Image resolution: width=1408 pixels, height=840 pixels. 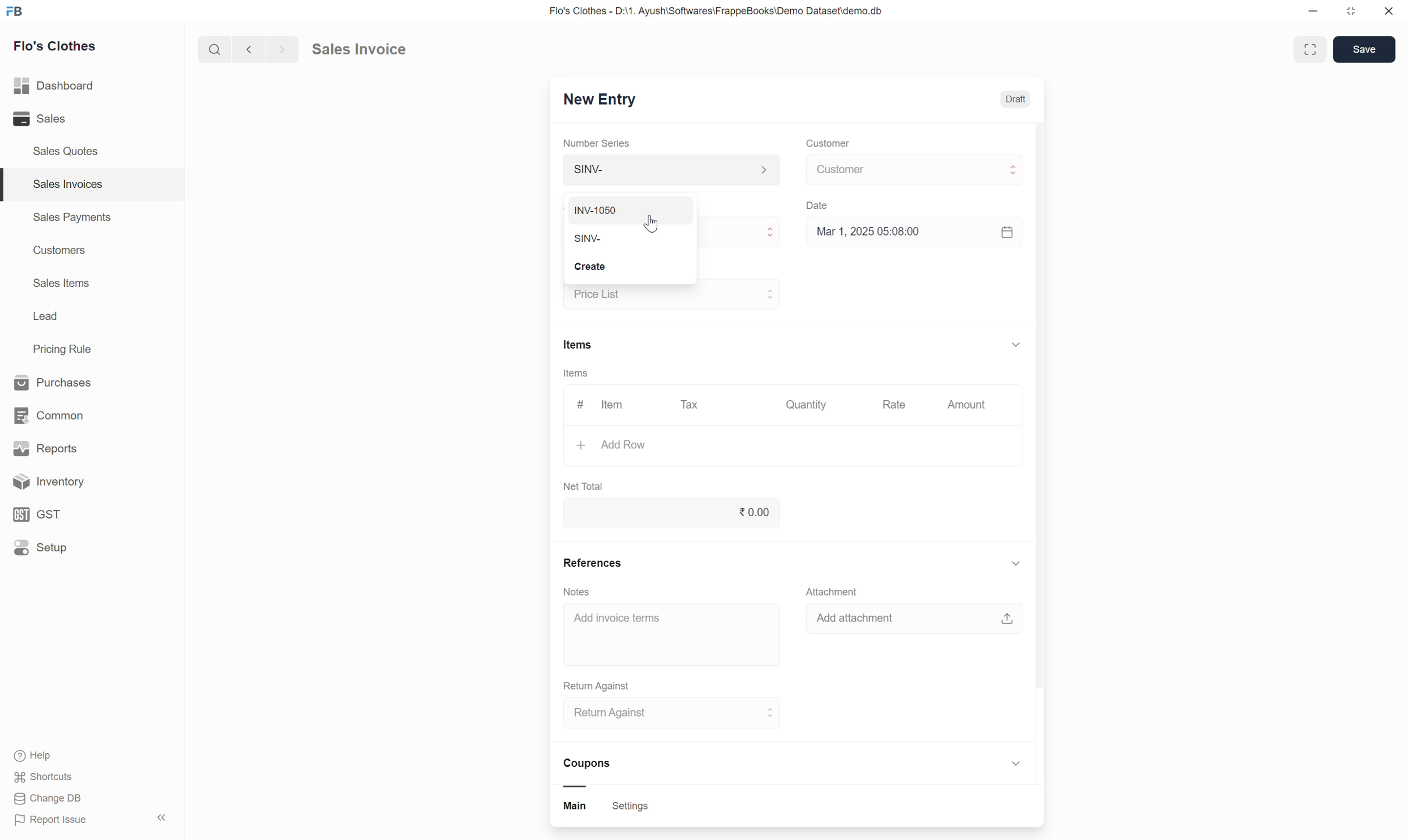 I want to click on Sales , so click(x=64, y=119).